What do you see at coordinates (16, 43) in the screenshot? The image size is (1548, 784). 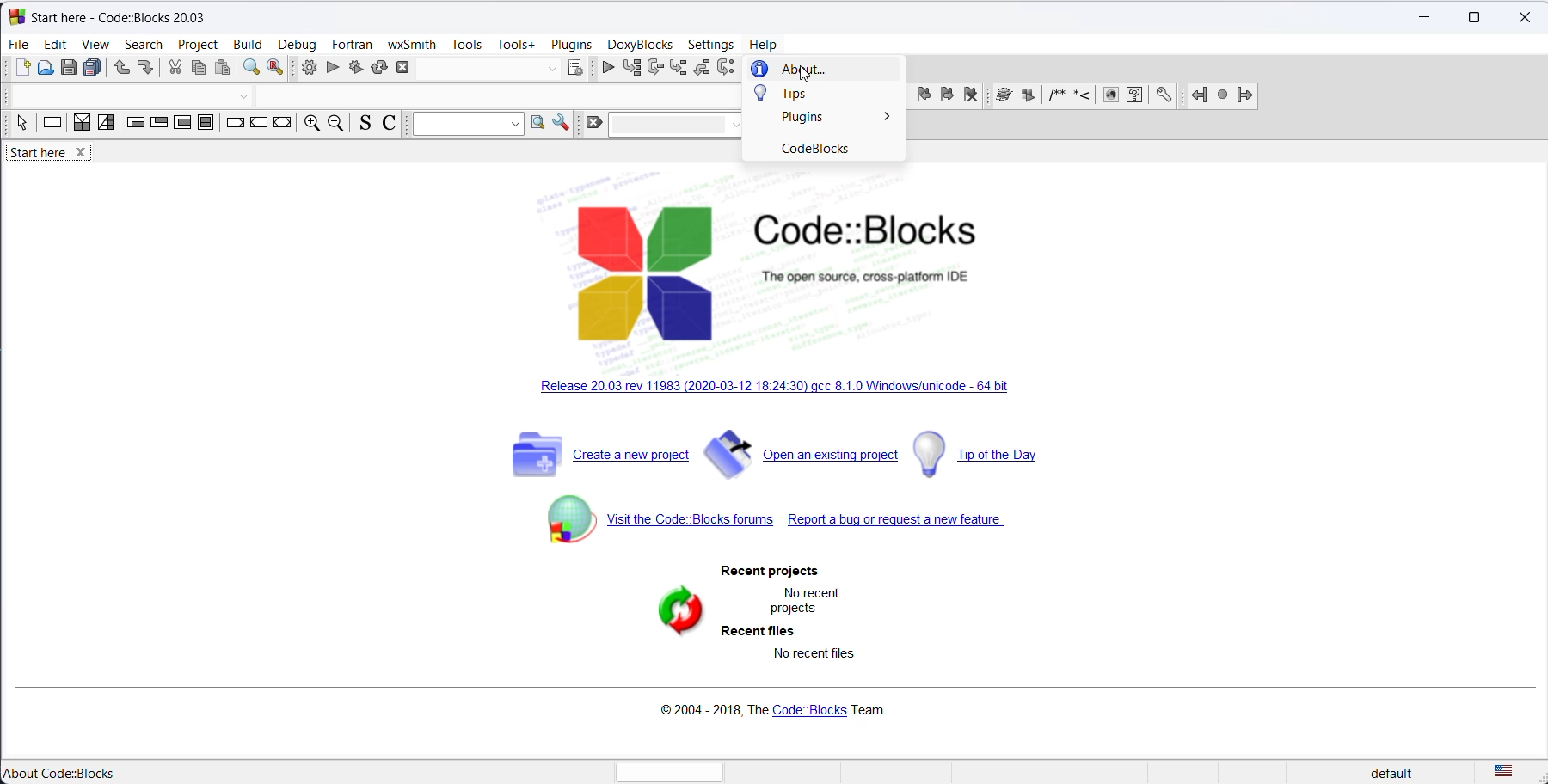 I see `file` at bounding box center [16, 43].